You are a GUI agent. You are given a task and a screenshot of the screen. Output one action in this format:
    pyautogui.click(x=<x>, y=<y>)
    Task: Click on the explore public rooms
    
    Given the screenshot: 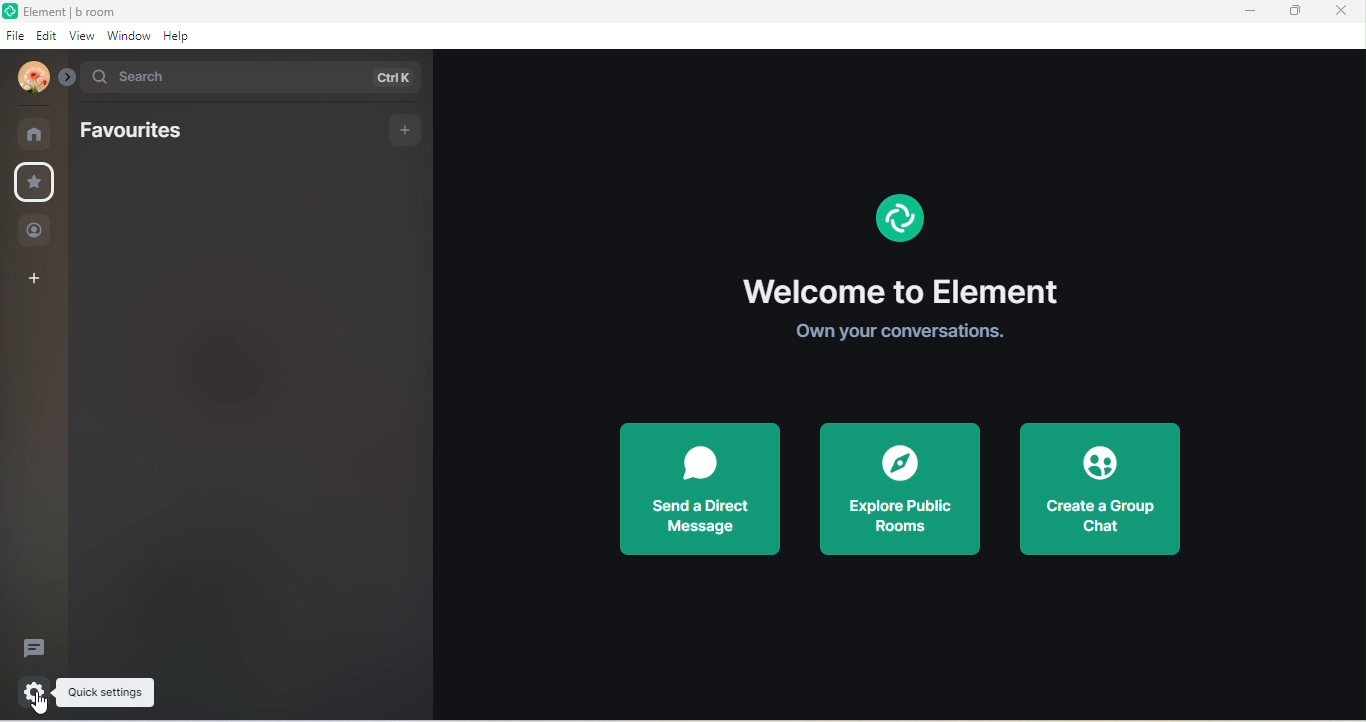 What is the action you would take?
    pyautogui.click(x=901, y=487)
    